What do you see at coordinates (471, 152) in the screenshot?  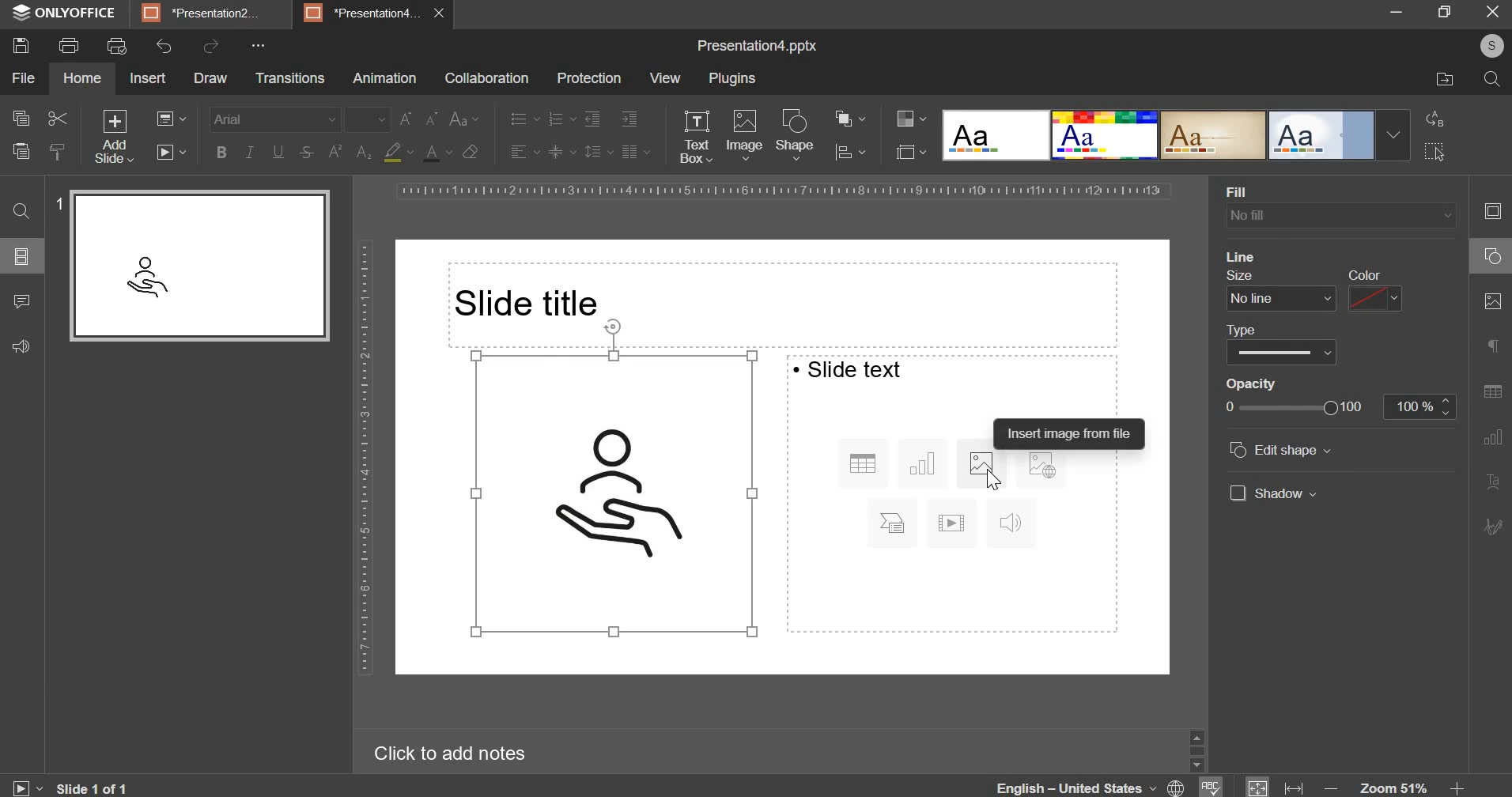 I see `clear styles` at bounding box center [471, 152].